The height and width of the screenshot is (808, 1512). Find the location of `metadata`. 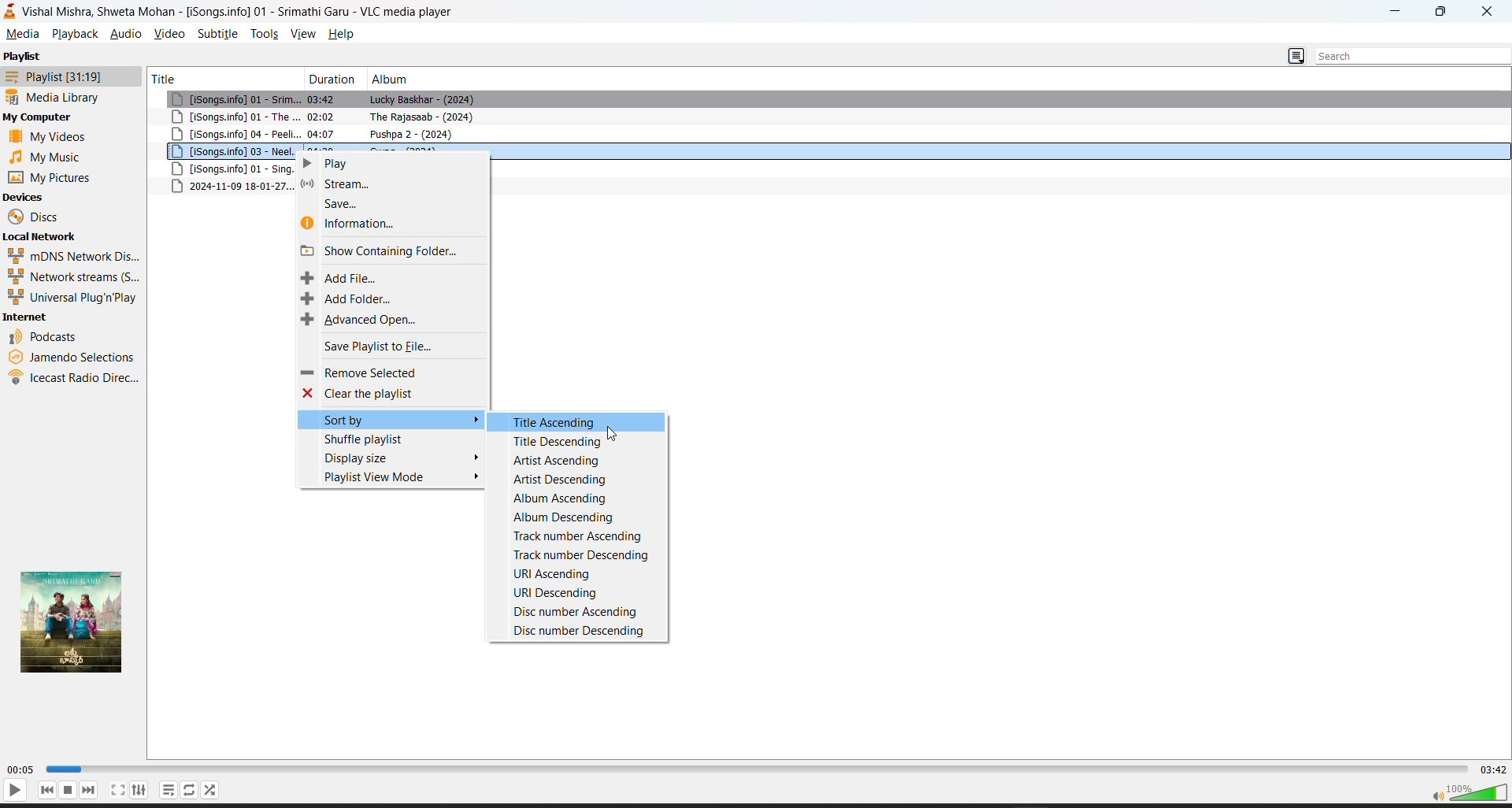

metadata is located at coordinates (227, 187).